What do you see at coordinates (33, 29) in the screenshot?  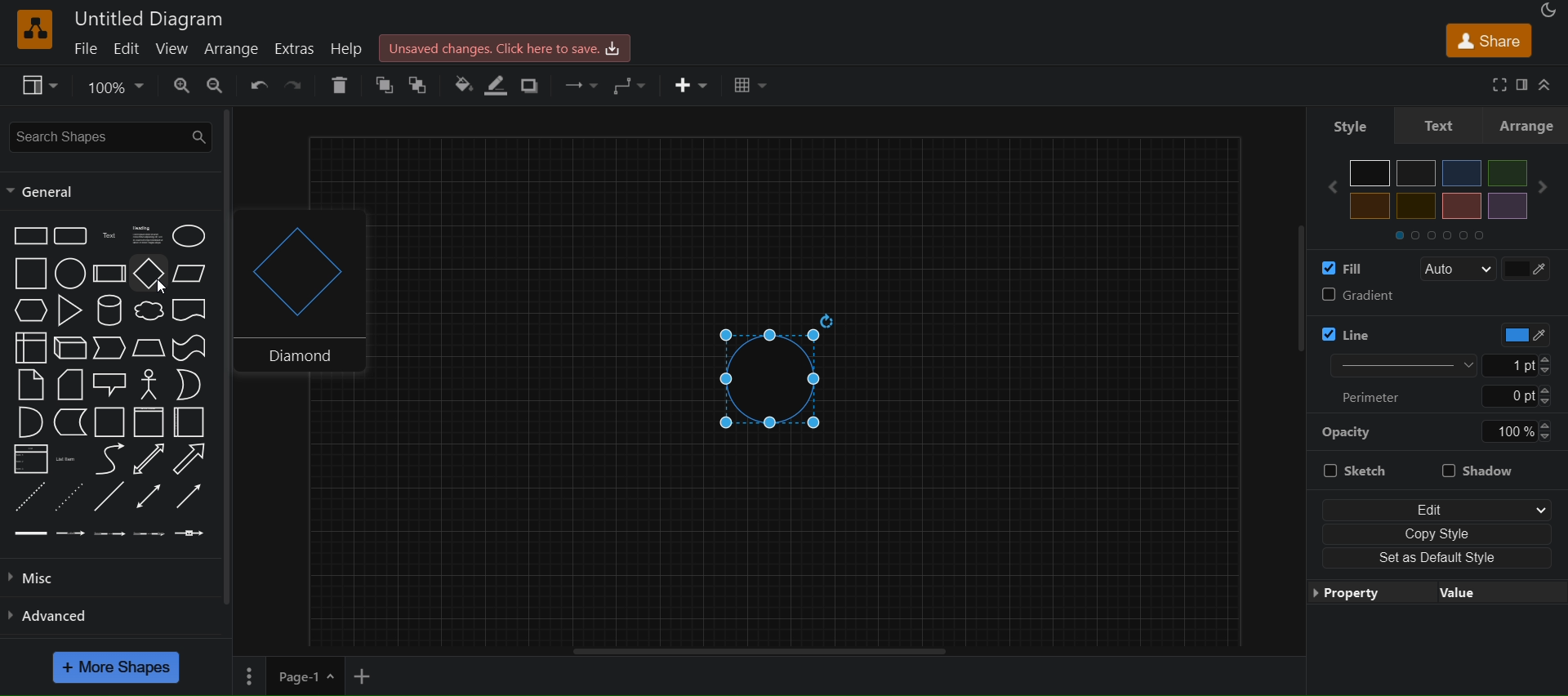 I see `logo` at bounding box center [33, 29].